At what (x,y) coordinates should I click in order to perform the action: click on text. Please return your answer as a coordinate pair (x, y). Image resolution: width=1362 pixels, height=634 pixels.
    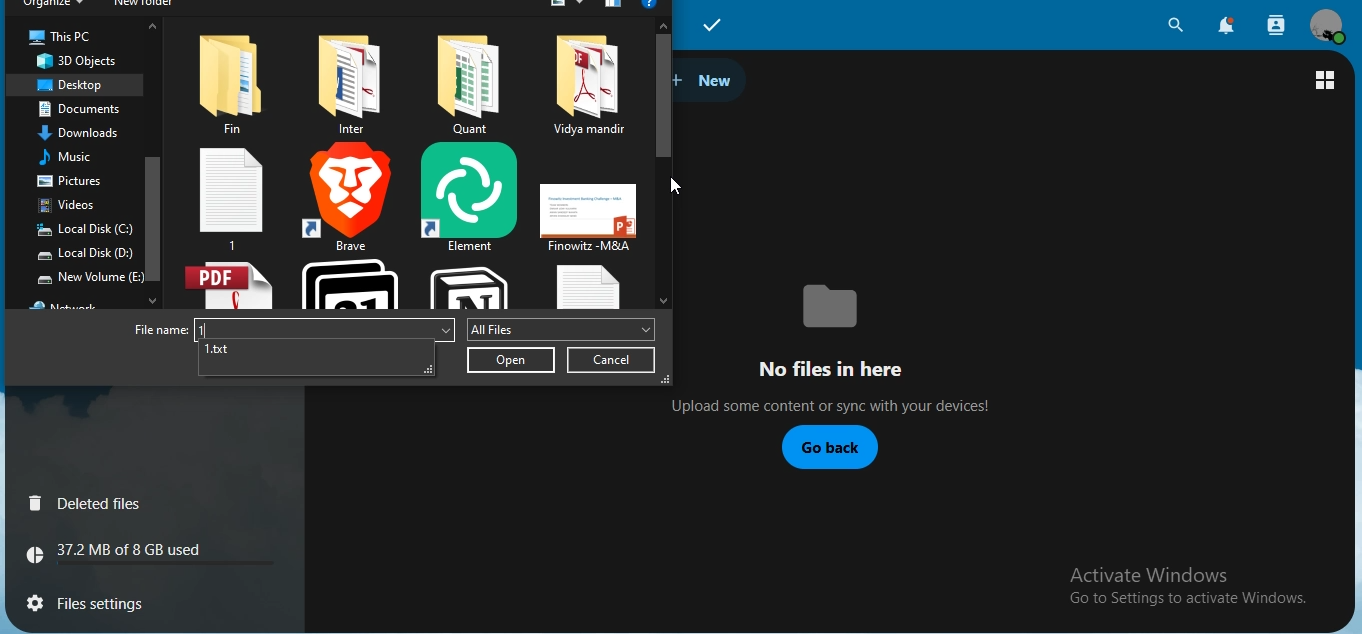
    Looking at the image, I should click on (125, 553).